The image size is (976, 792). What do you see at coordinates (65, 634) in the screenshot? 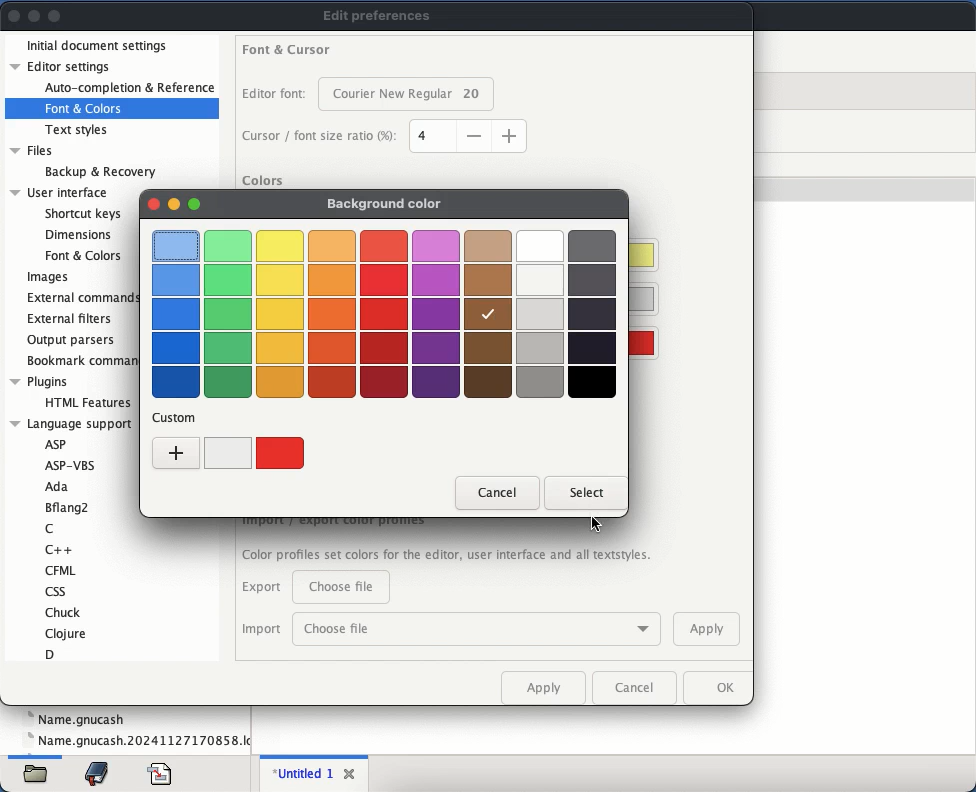
I see `Clojure` at bounding box center [65, 634].